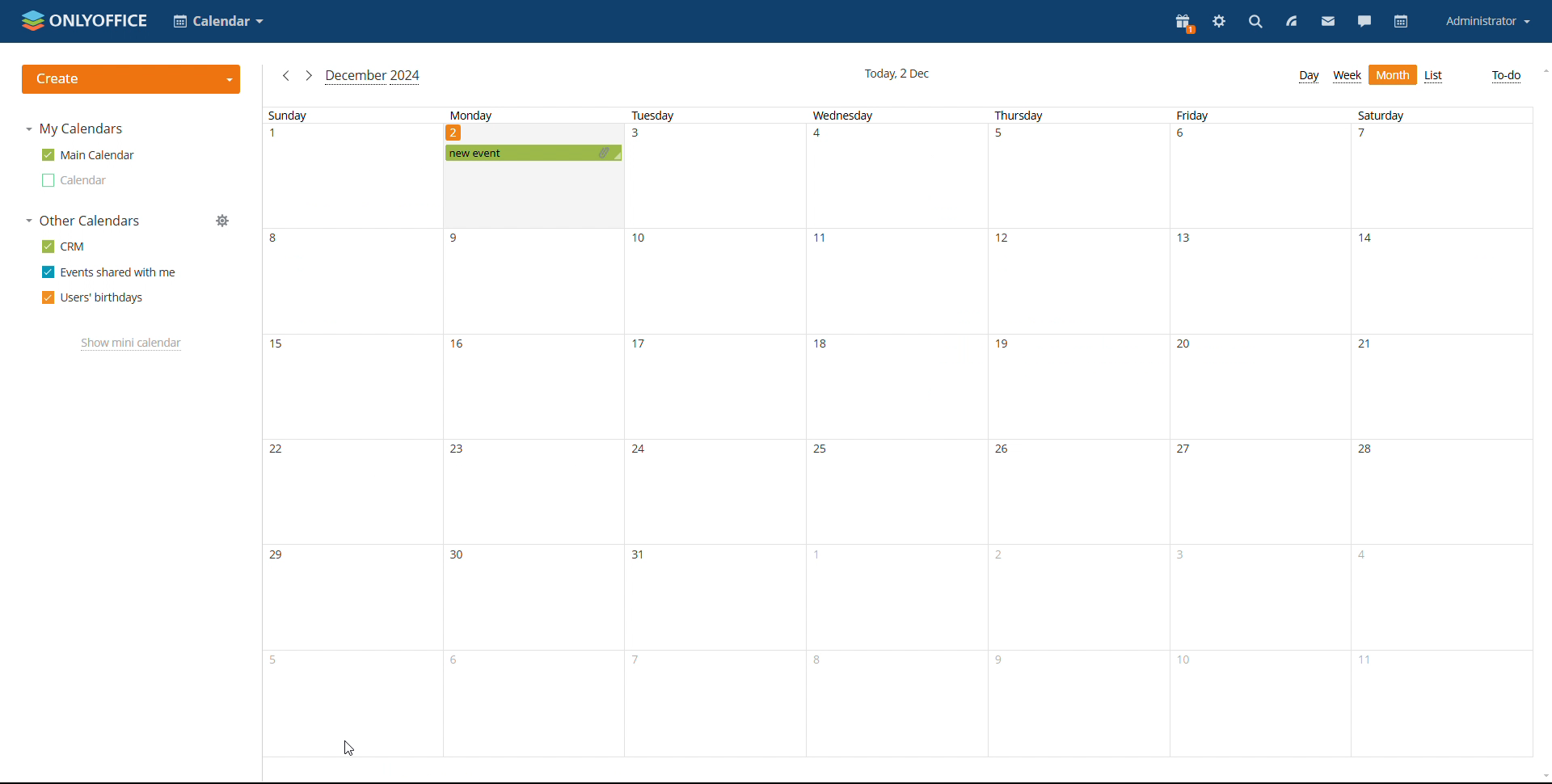 Image resolution: width=1552 pixels, height=784 pixels. I want to click on feed, so click(1292, 23).